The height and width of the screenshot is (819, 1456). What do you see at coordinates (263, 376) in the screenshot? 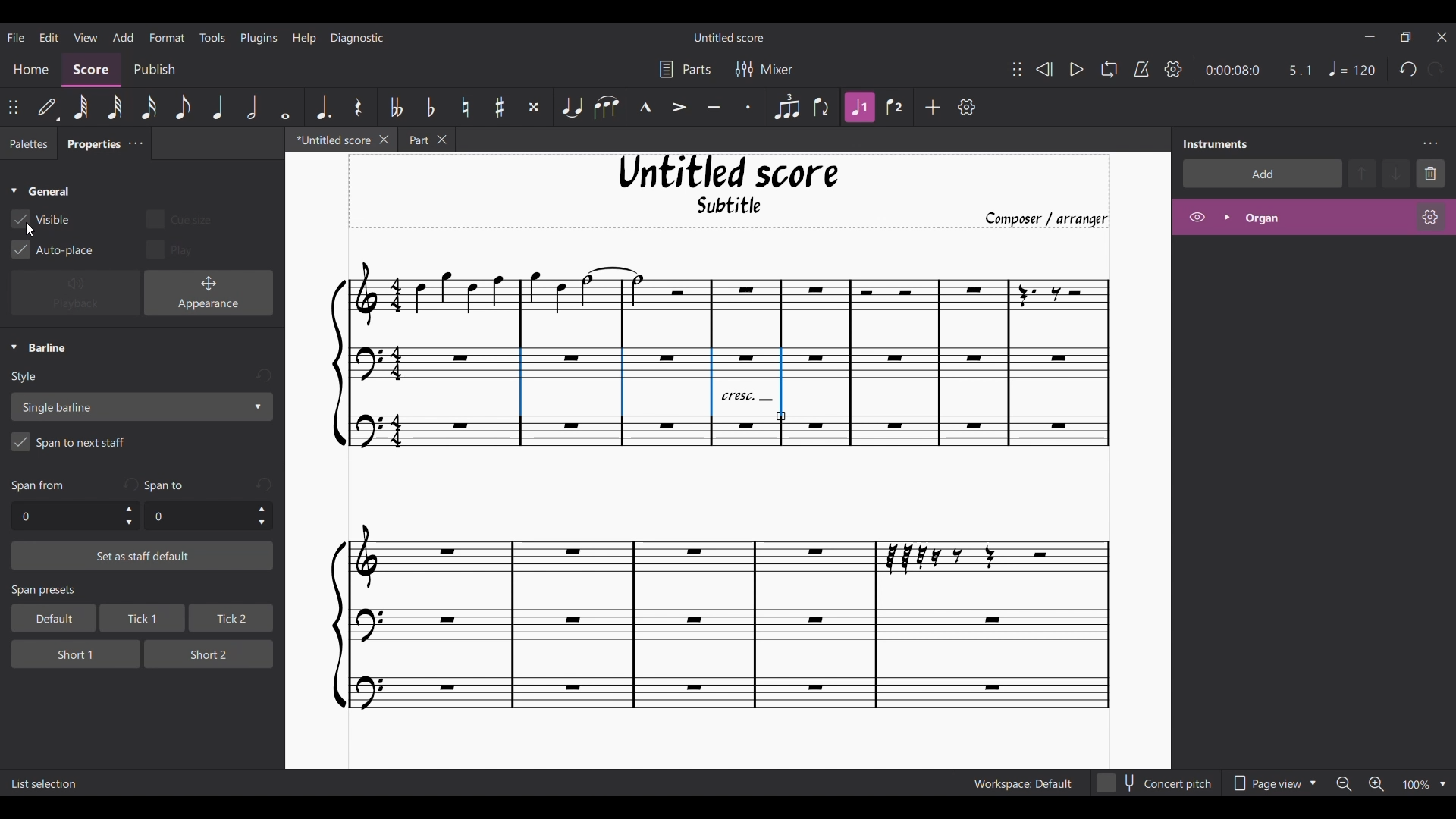
I see `Undo input made` at bounding box center [263, 376].